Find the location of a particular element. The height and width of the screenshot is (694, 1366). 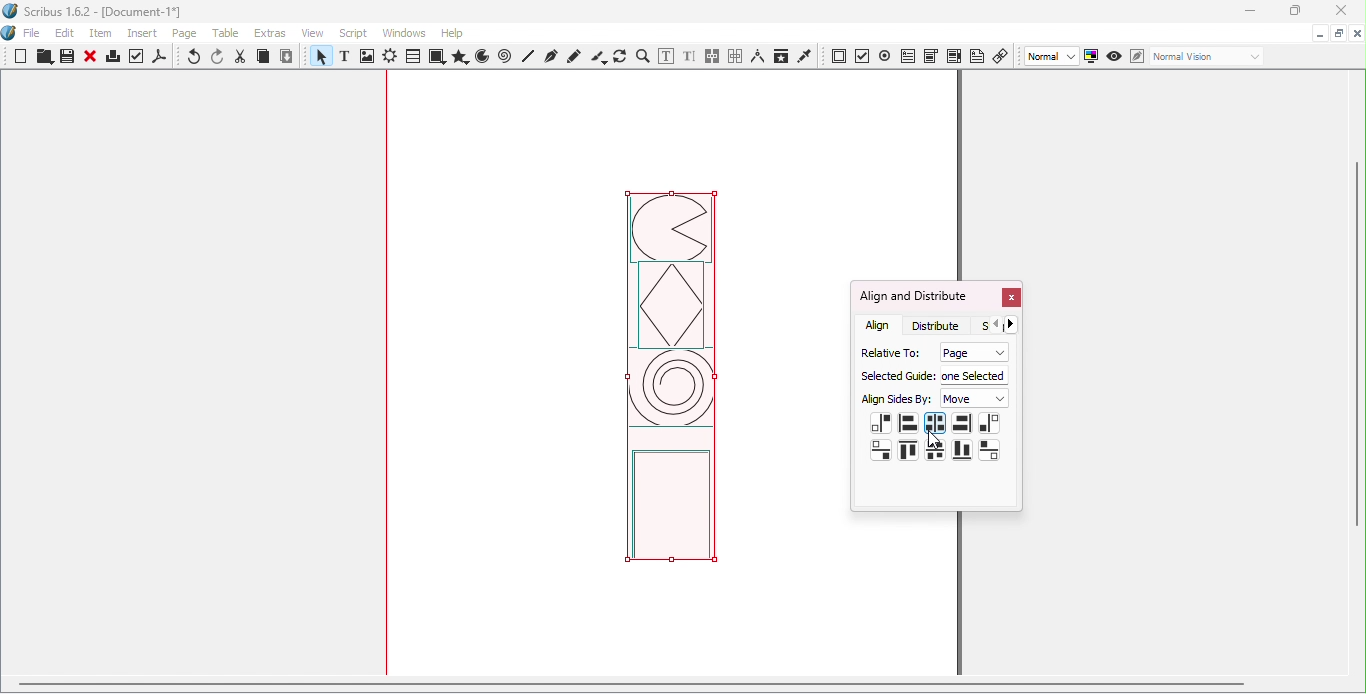

Align left sides of items to right sides of anchor is located at coordinates (989, 424).